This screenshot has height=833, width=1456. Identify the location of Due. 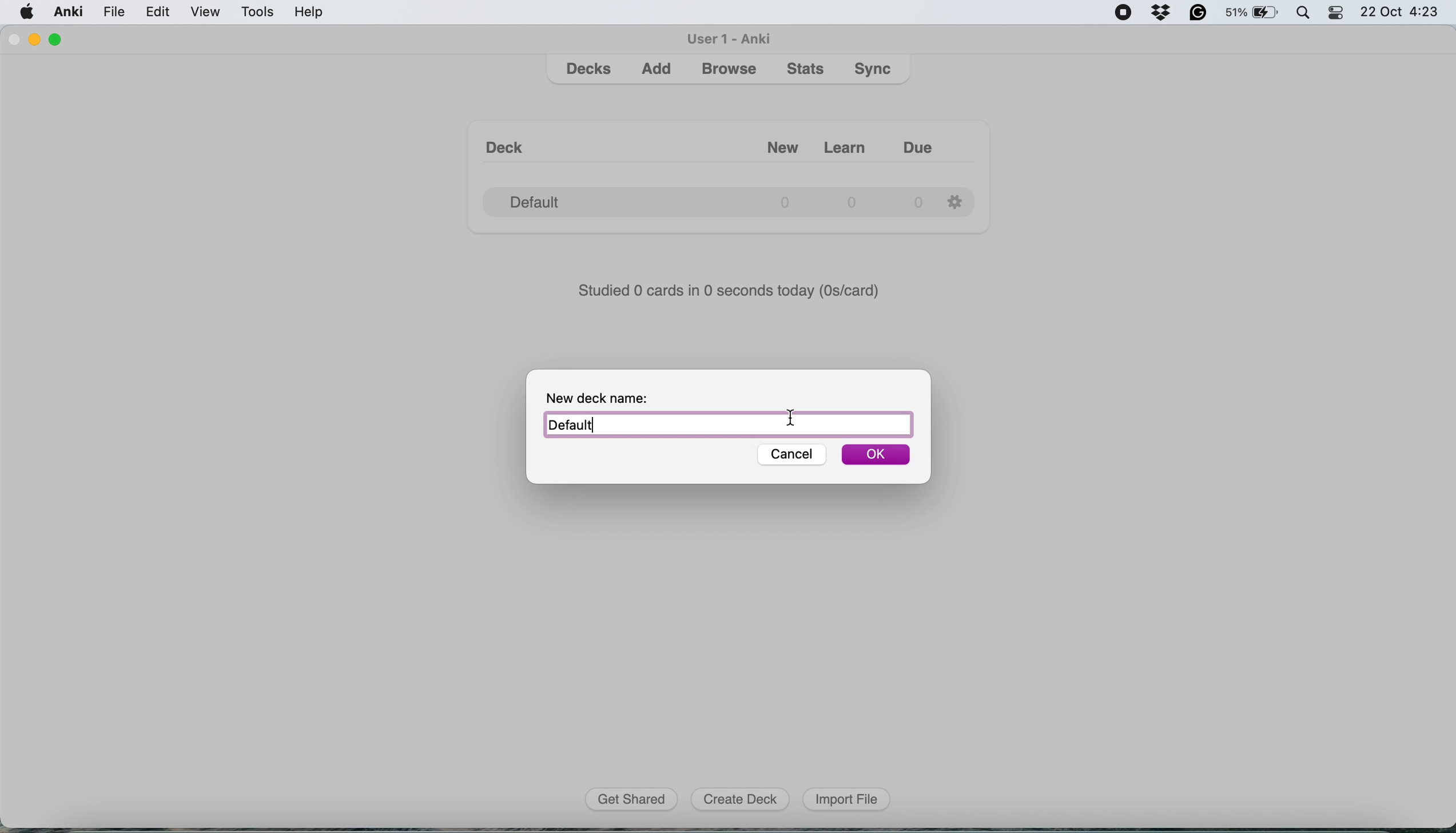
(929, 142).